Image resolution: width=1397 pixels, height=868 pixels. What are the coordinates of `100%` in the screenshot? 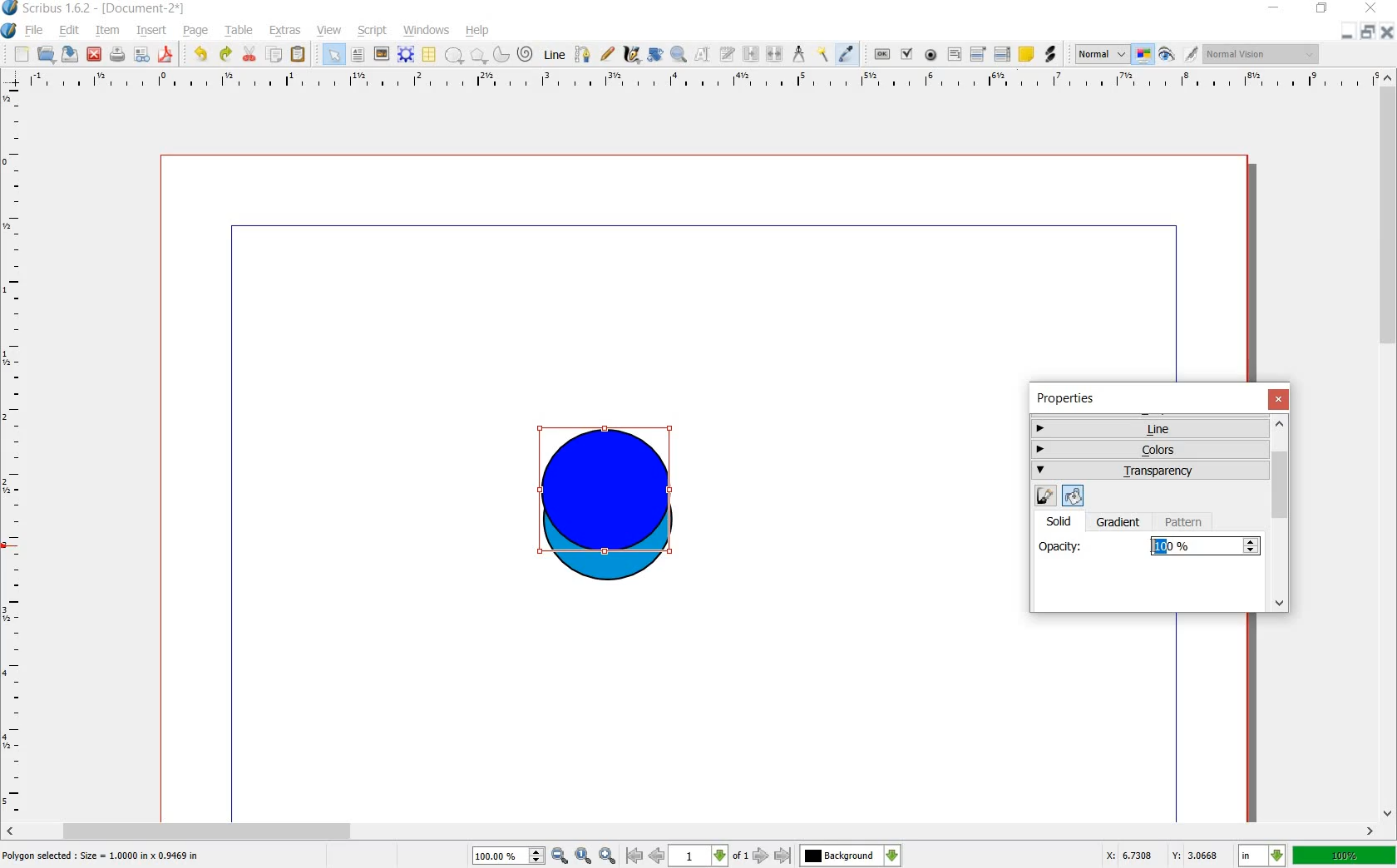 It's located at (1194, 546).